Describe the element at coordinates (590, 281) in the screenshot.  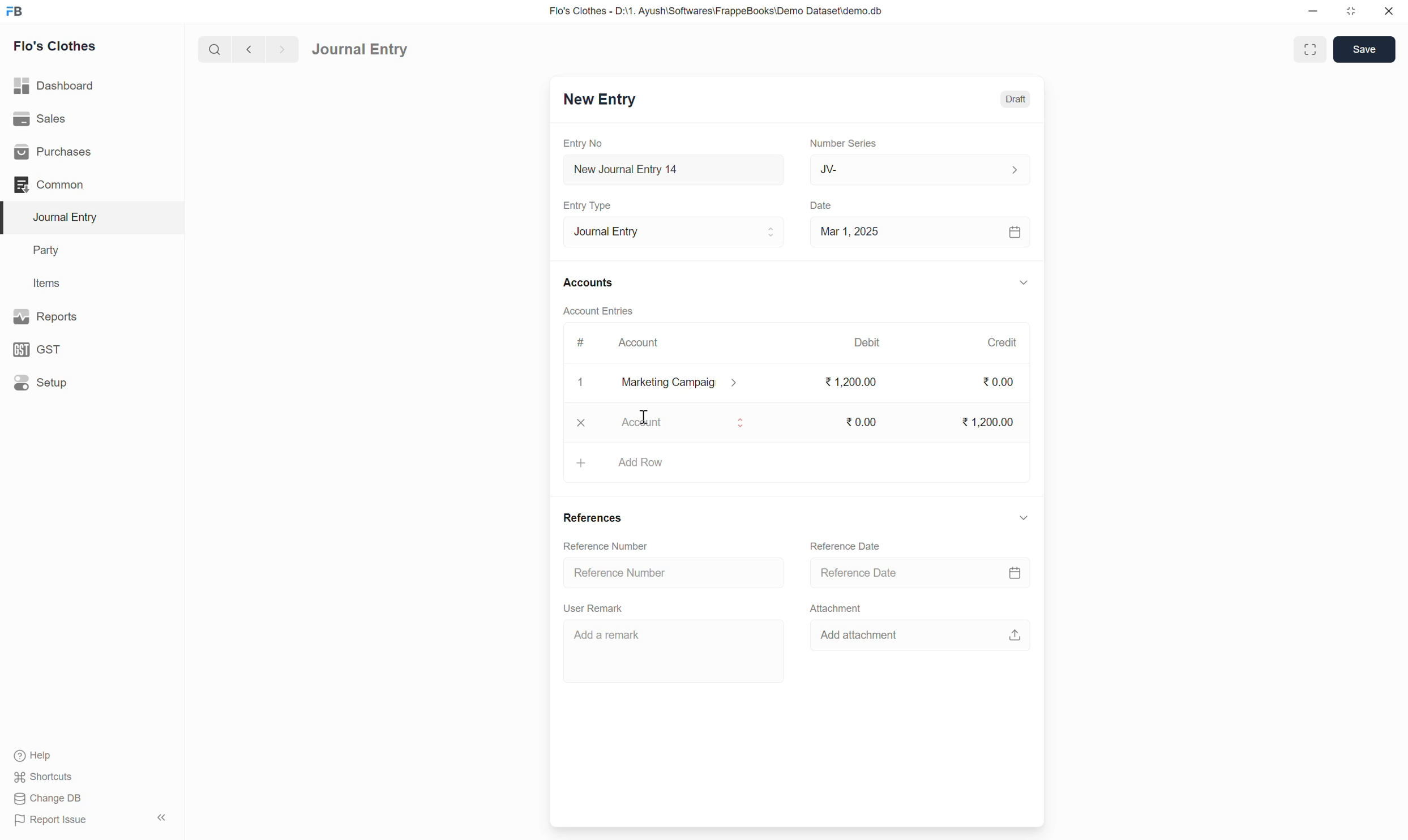
I see `Accounts` at that location.